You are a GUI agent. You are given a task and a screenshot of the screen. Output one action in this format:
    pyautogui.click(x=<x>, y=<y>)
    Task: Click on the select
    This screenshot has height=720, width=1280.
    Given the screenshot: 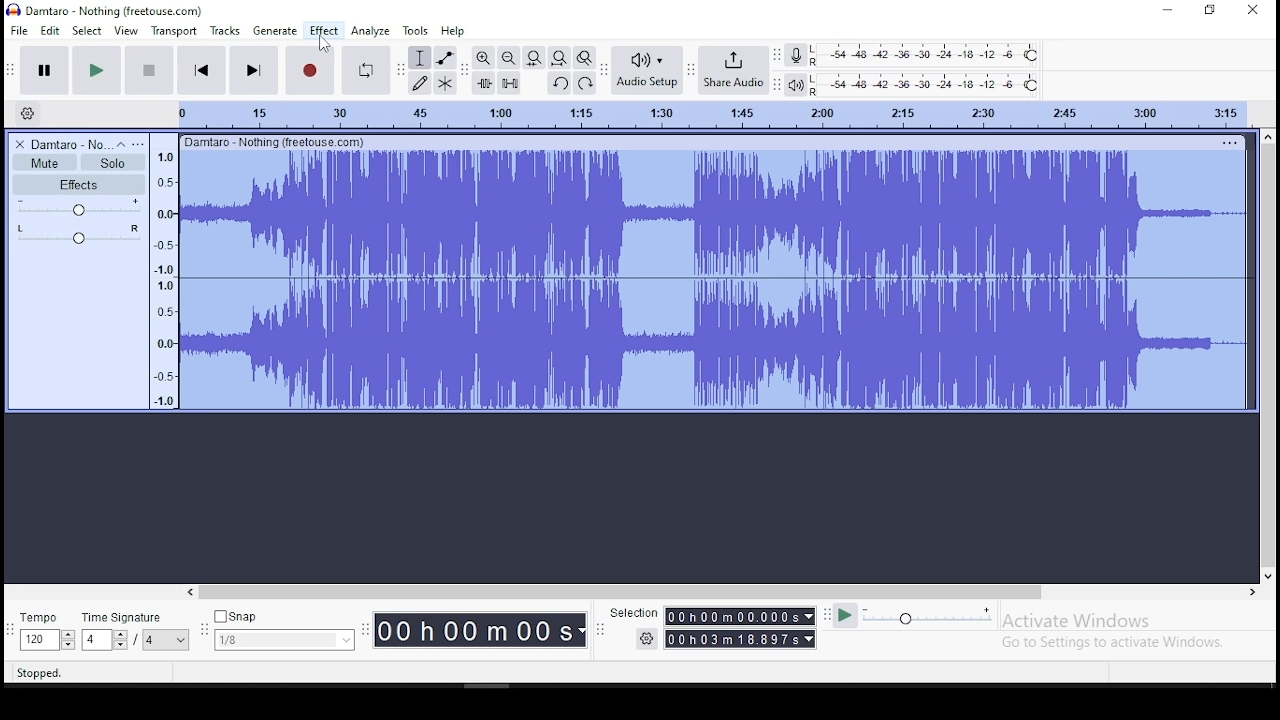 What is the action you would take?
    pyautogui.click(x=87, y=30)
    